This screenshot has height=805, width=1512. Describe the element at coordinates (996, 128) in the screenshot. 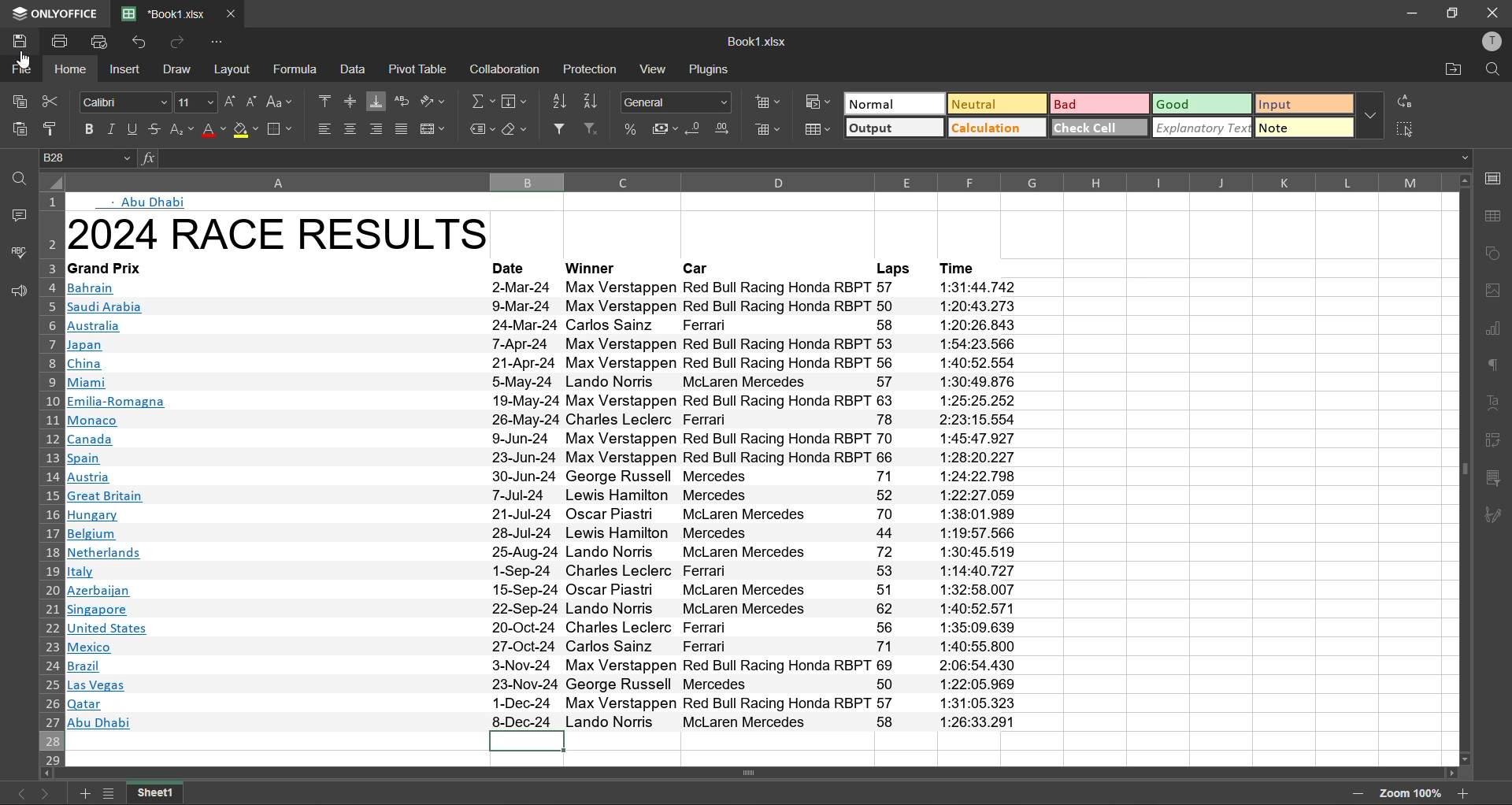

I see `calculation` at that location.